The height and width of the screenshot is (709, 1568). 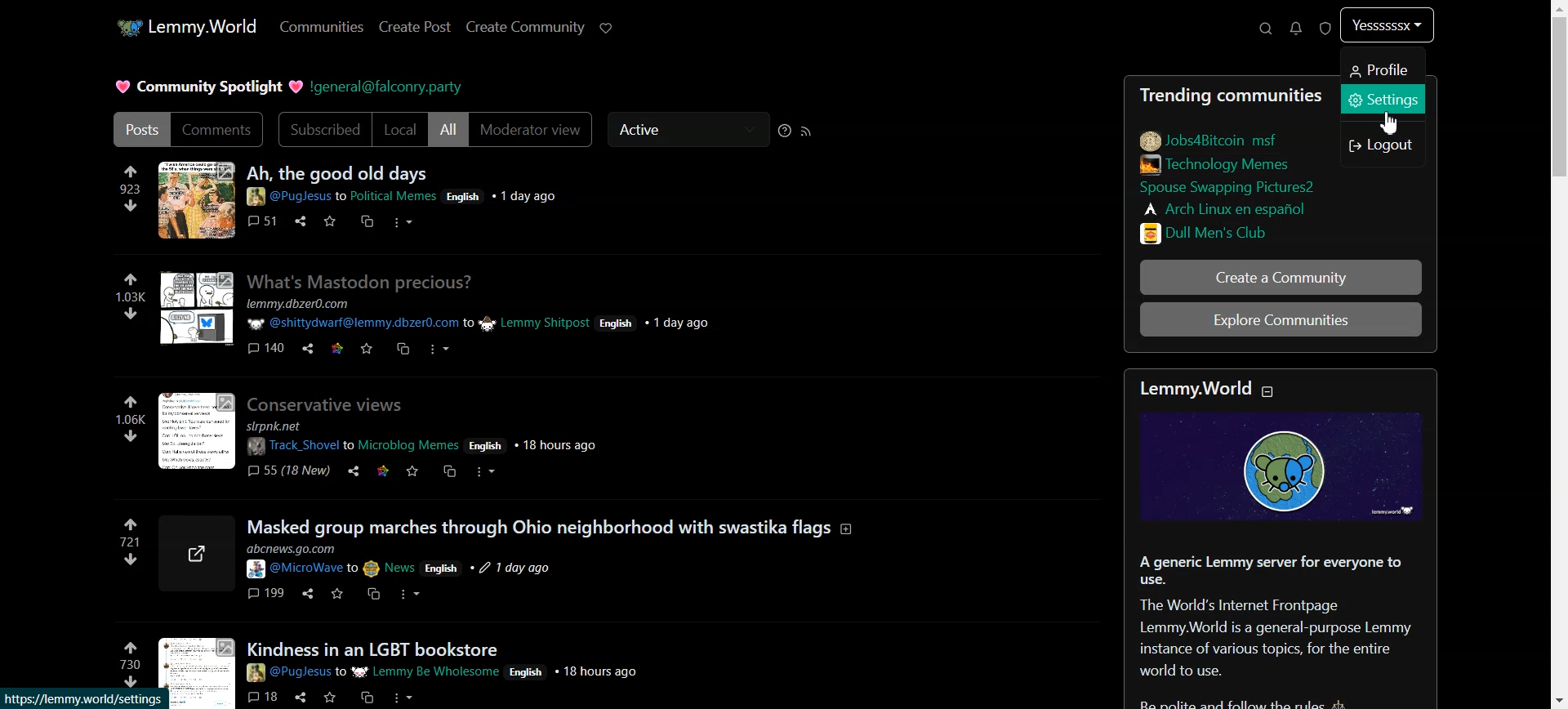 What do you see at coordinates (133, 171) in the screenshot?
I see `upvote` at bounding box center [133, 171].